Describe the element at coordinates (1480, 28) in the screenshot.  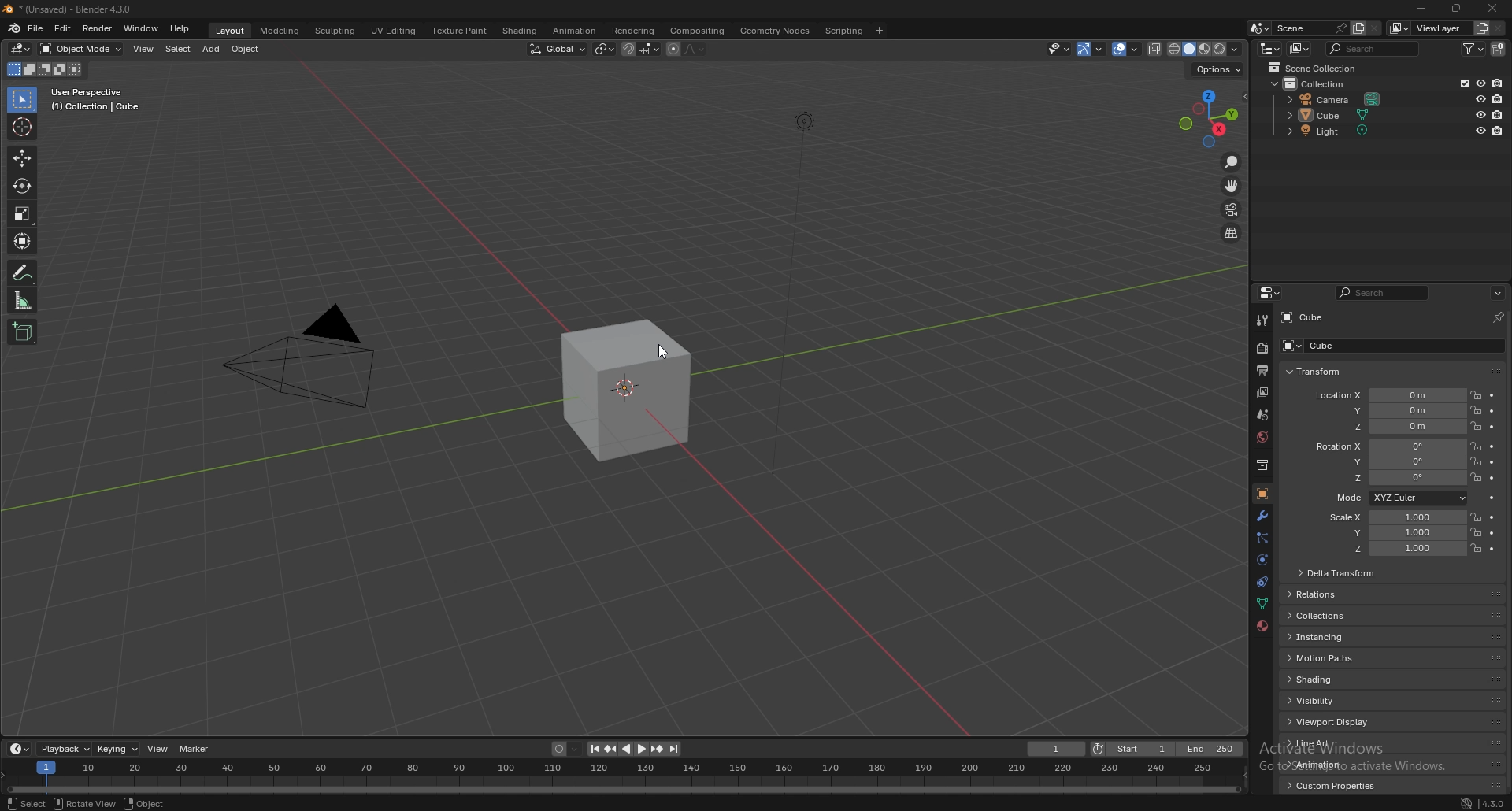
I see `add view layer` at that location.